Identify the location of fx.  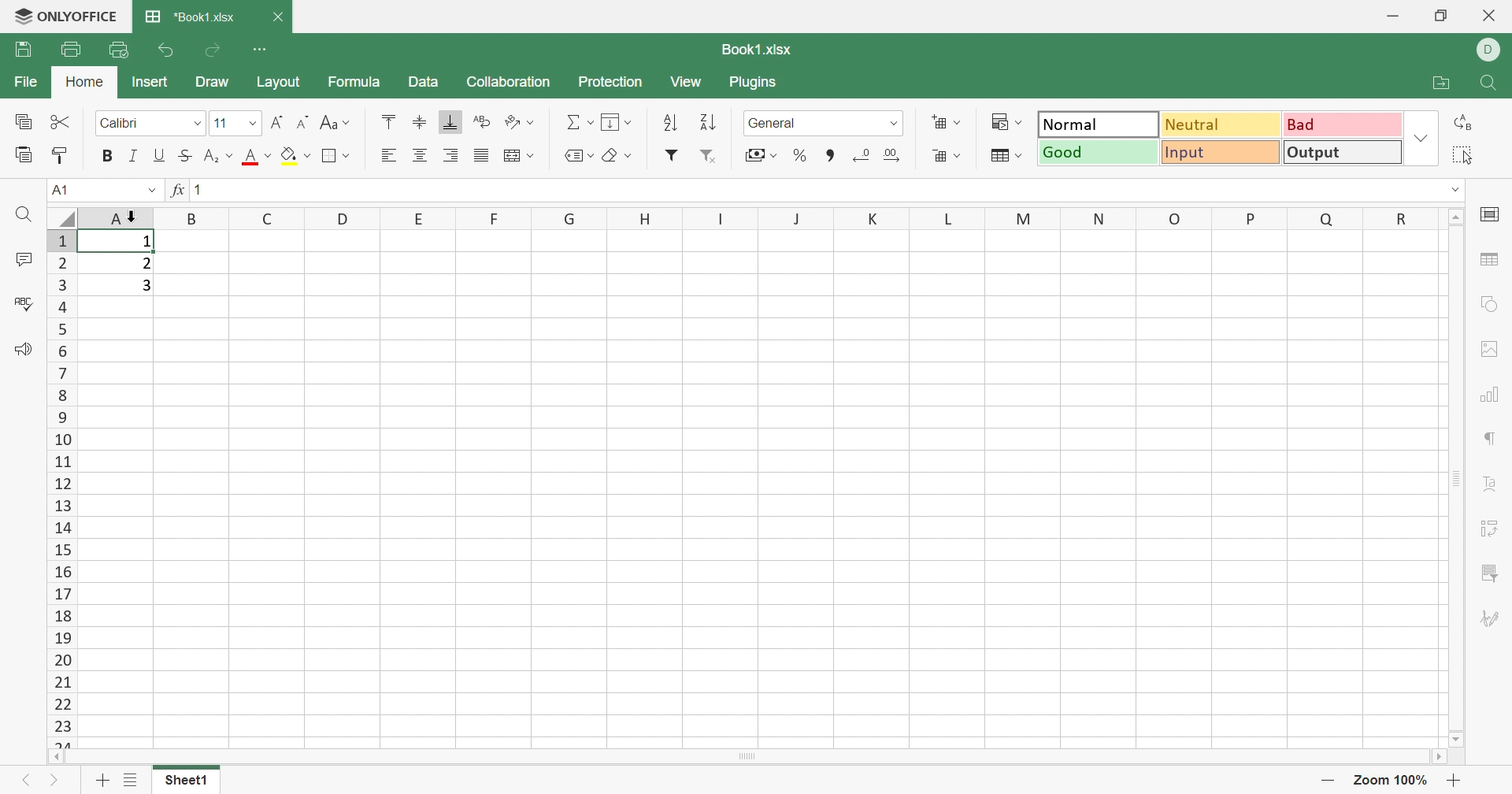
(176, 190).